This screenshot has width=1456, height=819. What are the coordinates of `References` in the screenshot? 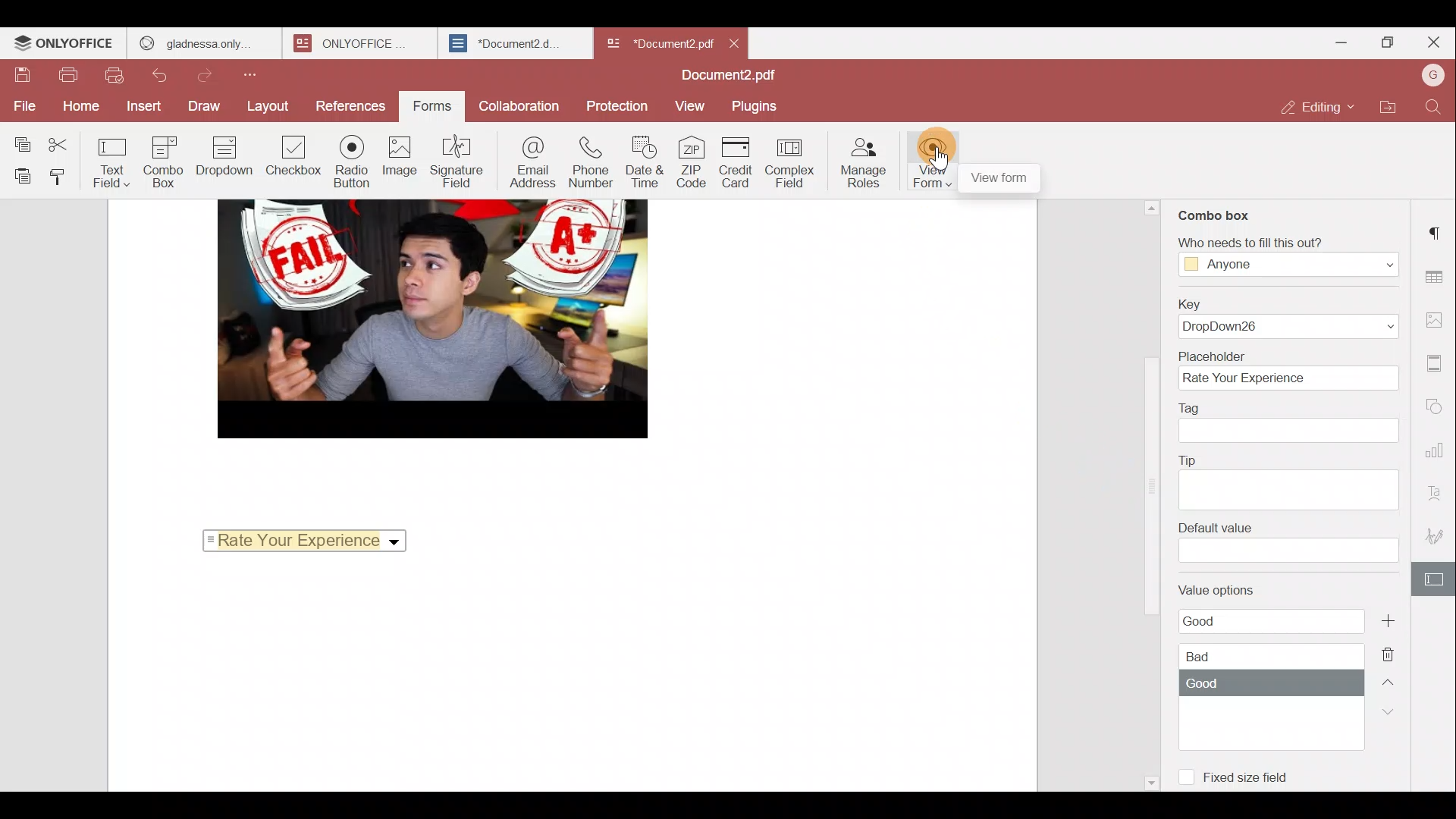 It's located at (347, 104).